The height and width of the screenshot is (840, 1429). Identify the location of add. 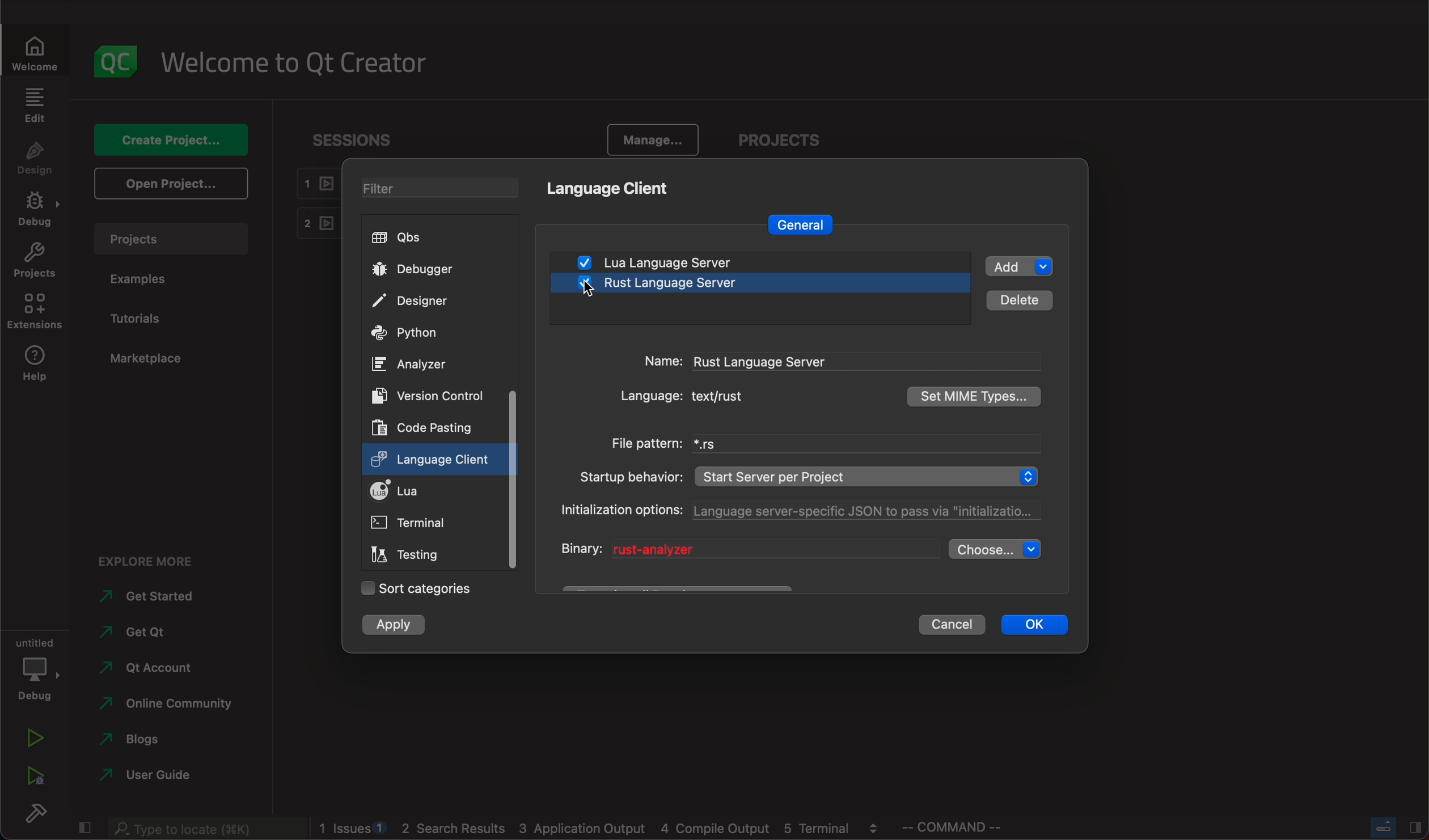
(1021, 266).